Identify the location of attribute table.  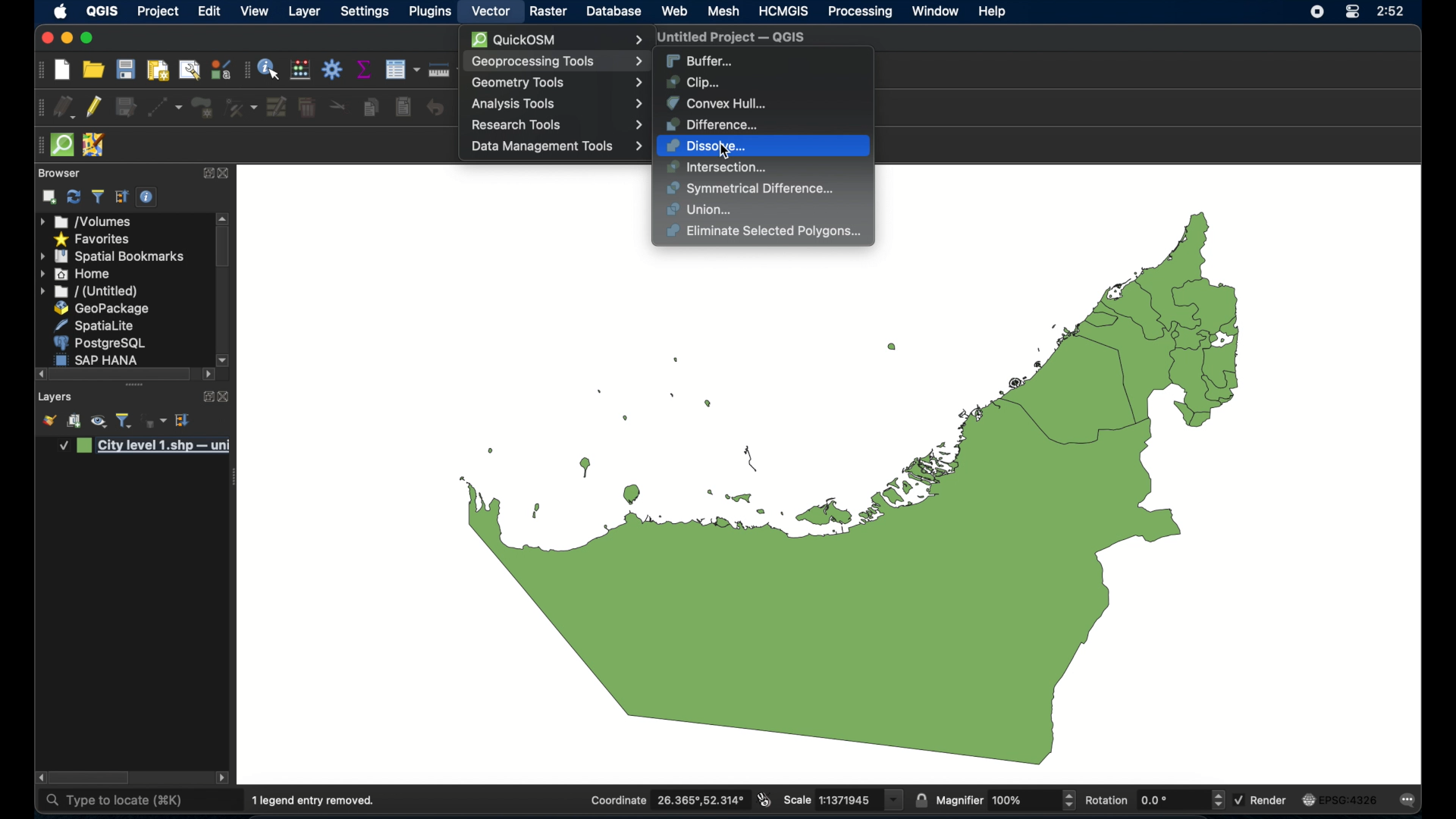
(246, 71).